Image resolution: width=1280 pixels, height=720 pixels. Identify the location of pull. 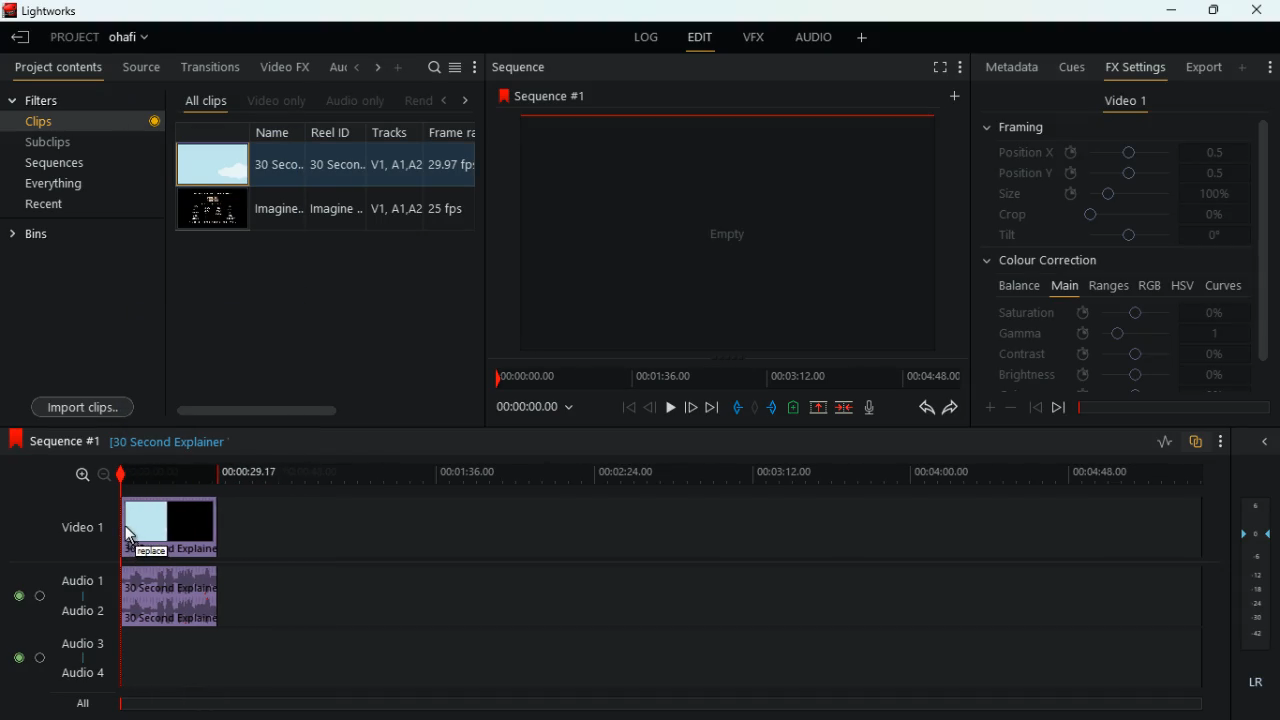
(735, 409).